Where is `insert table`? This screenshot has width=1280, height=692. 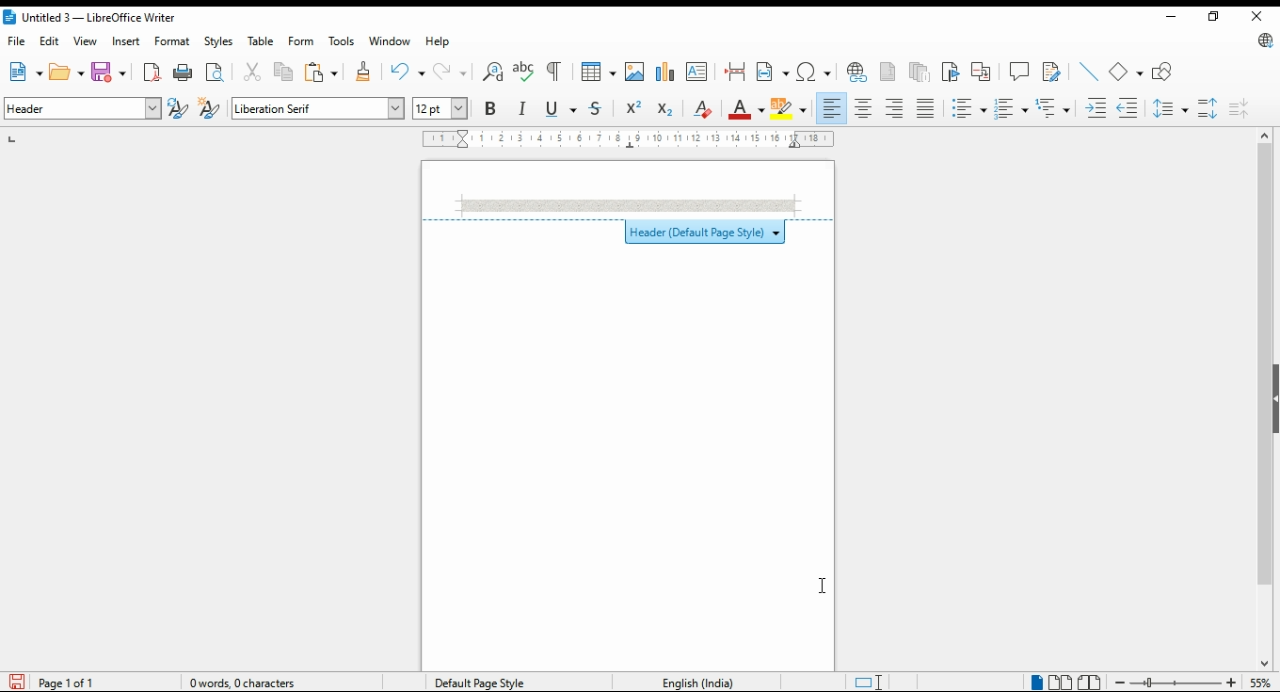
insert table is located at coordinates (599, 71).